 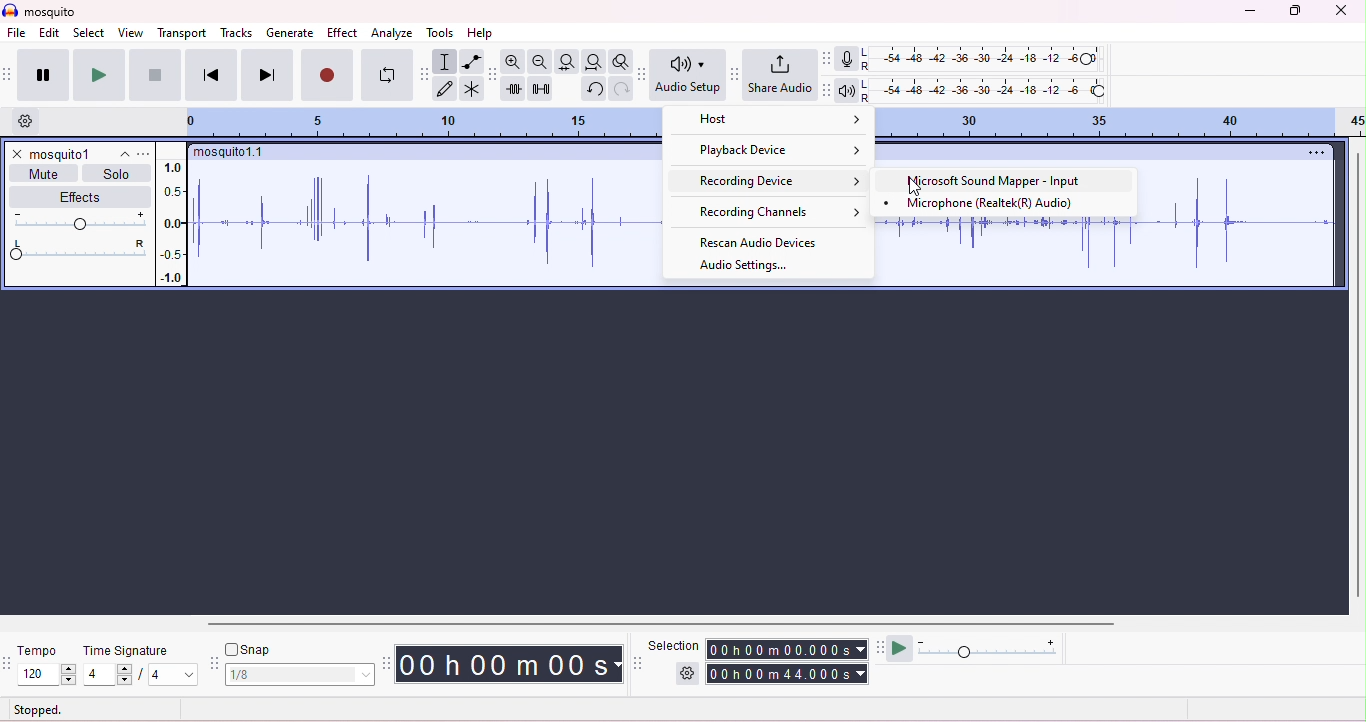 What do you see at coordinates (787, 674) in the screenshot?
I see `total time` at bounding box center [787, 674].